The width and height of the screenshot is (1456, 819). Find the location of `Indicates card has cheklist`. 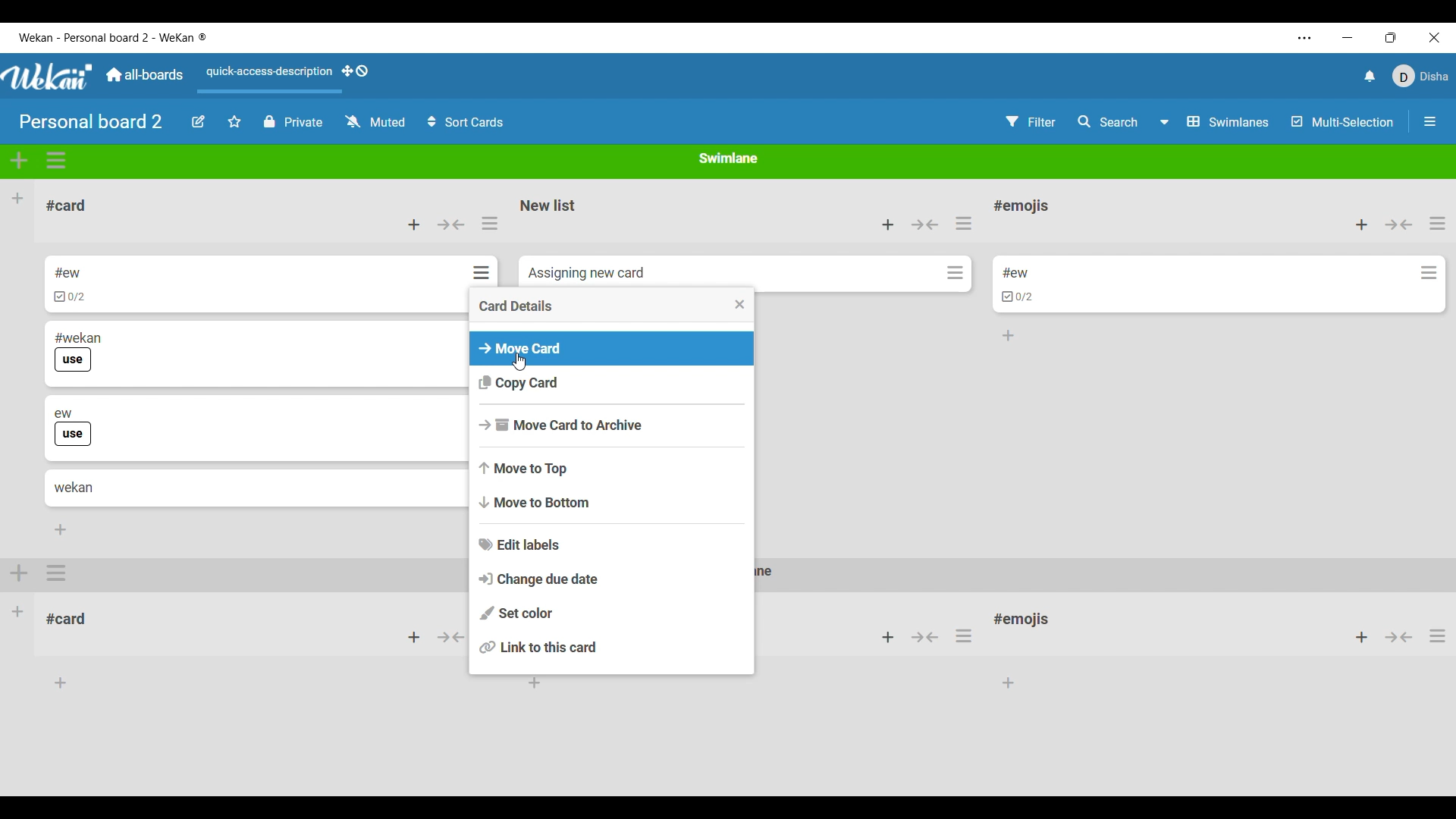

Indicates card has cheklist is located at coordinates (1018, 297).